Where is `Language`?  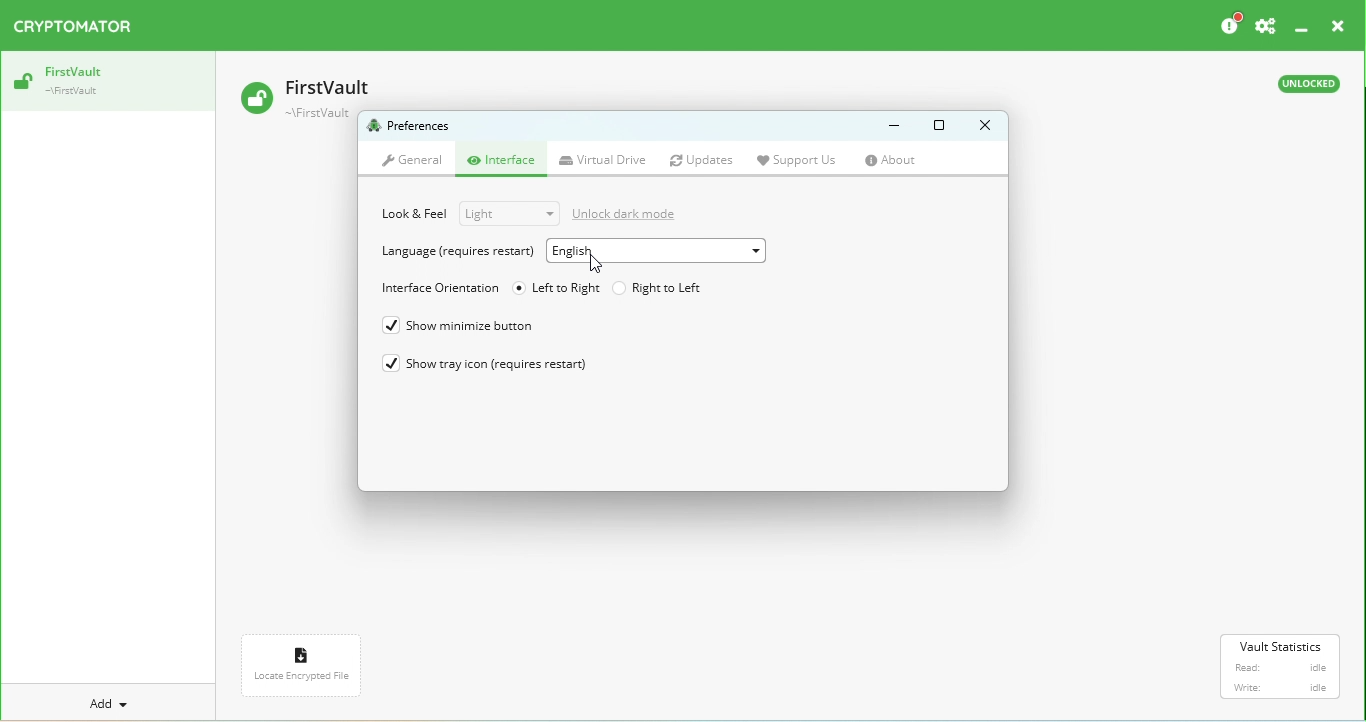
Language is located at coordinates (455, 252).